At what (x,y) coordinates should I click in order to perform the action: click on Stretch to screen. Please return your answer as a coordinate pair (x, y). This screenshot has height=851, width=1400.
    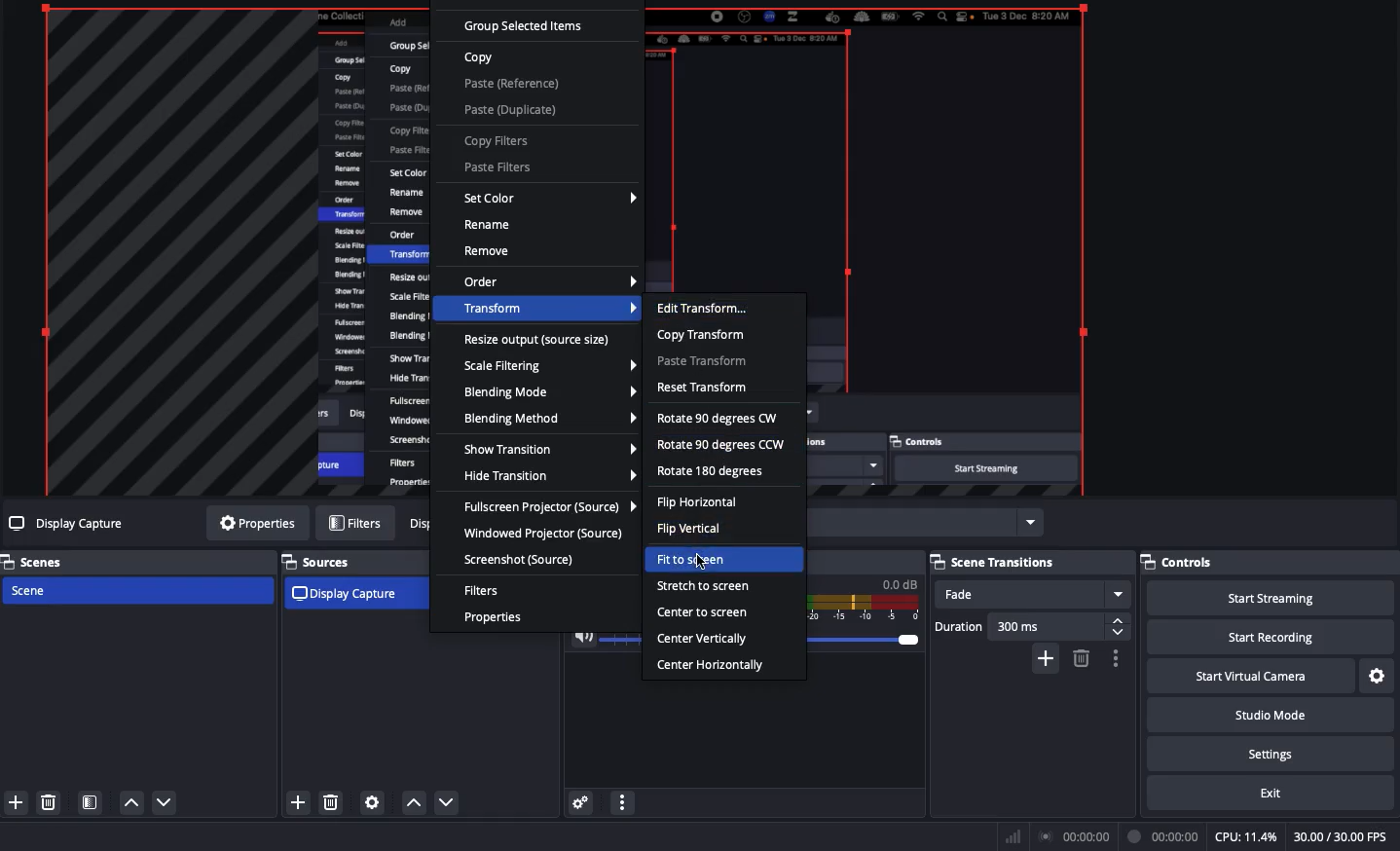
    Looking at the image, I should click on (702, 585).